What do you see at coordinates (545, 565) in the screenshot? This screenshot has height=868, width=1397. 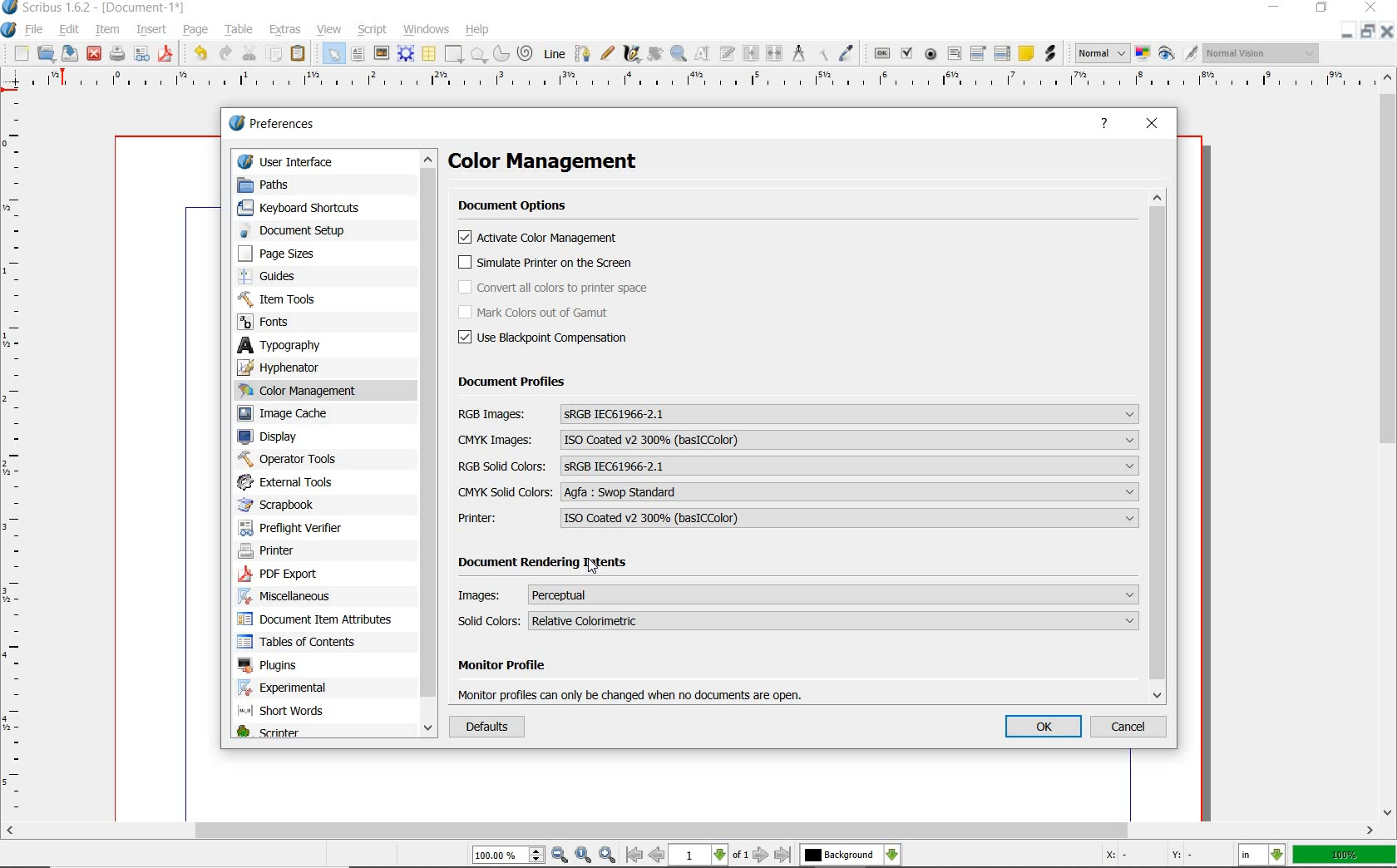 I see `Document Rendering Intents` at bounding box center [545, 565].